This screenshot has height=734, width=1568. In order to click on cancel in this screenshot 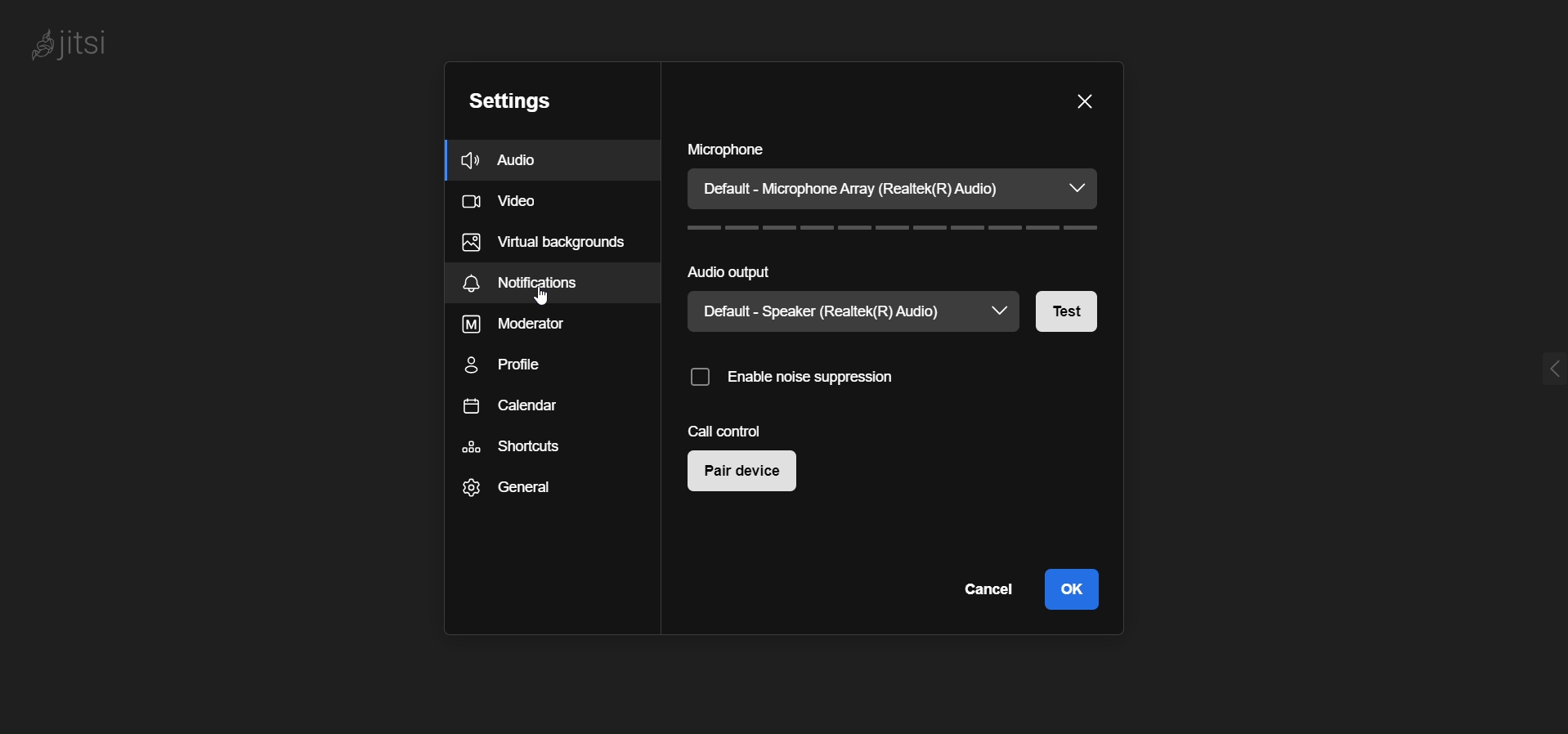, I will do `click(990, 589)`.